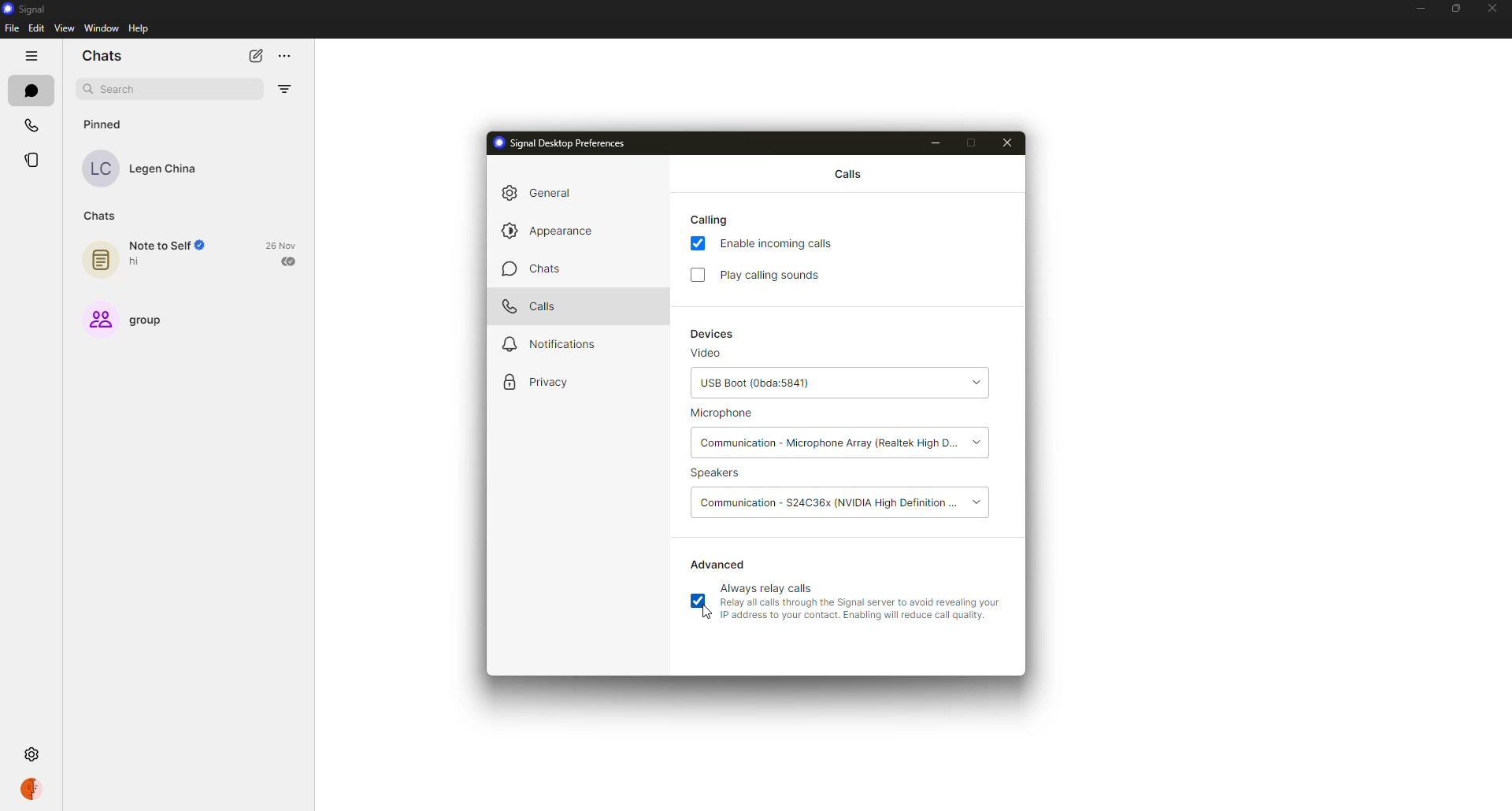  Describe the element at coordinates (101, 29) in the screenshot. I see `window` at that location.